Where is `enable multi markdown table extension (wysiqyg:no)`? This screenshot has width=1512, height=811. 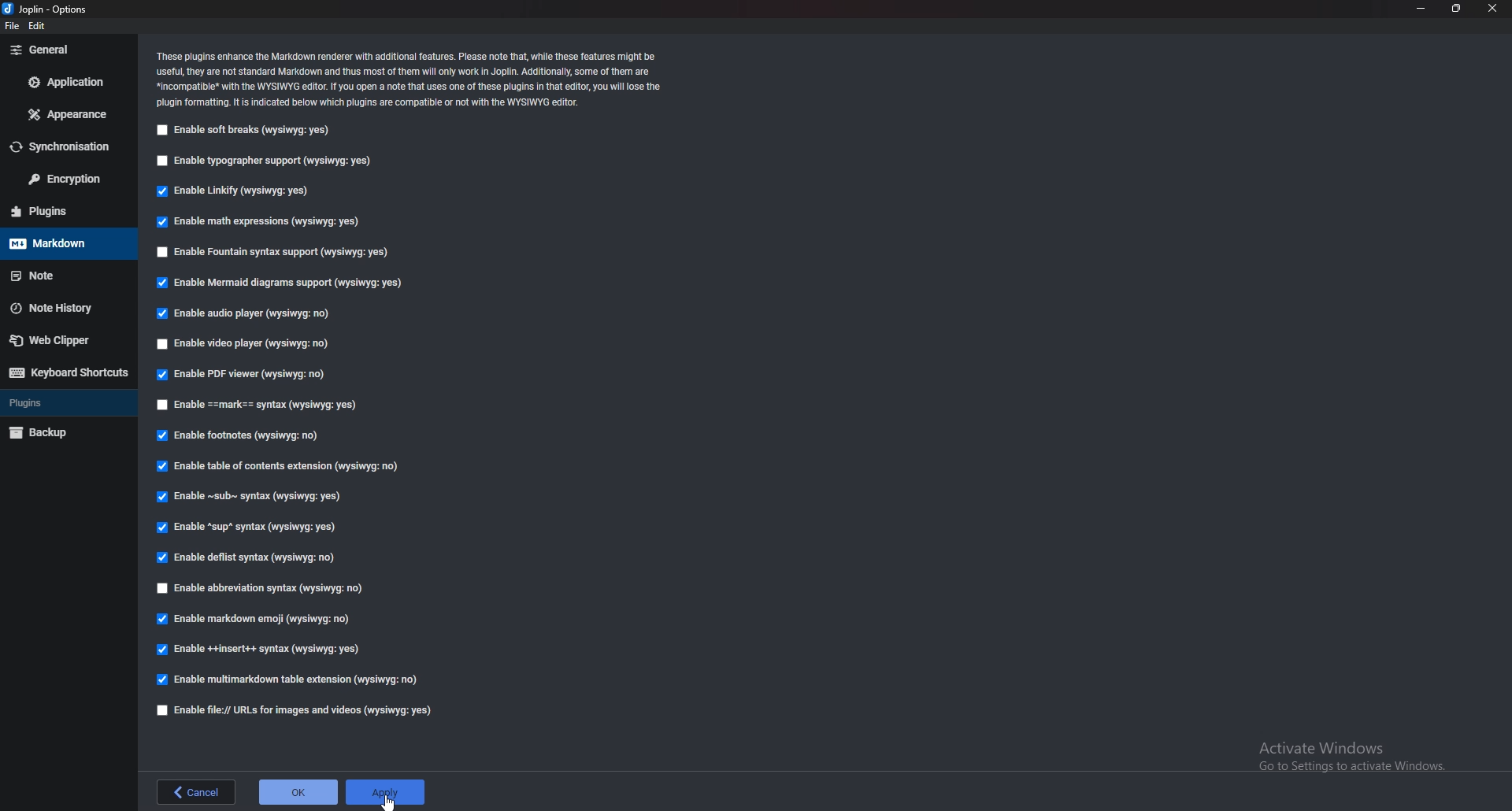
enable multi markdown table extension (wysiqyg:no) is located at coordinates (291, 680).